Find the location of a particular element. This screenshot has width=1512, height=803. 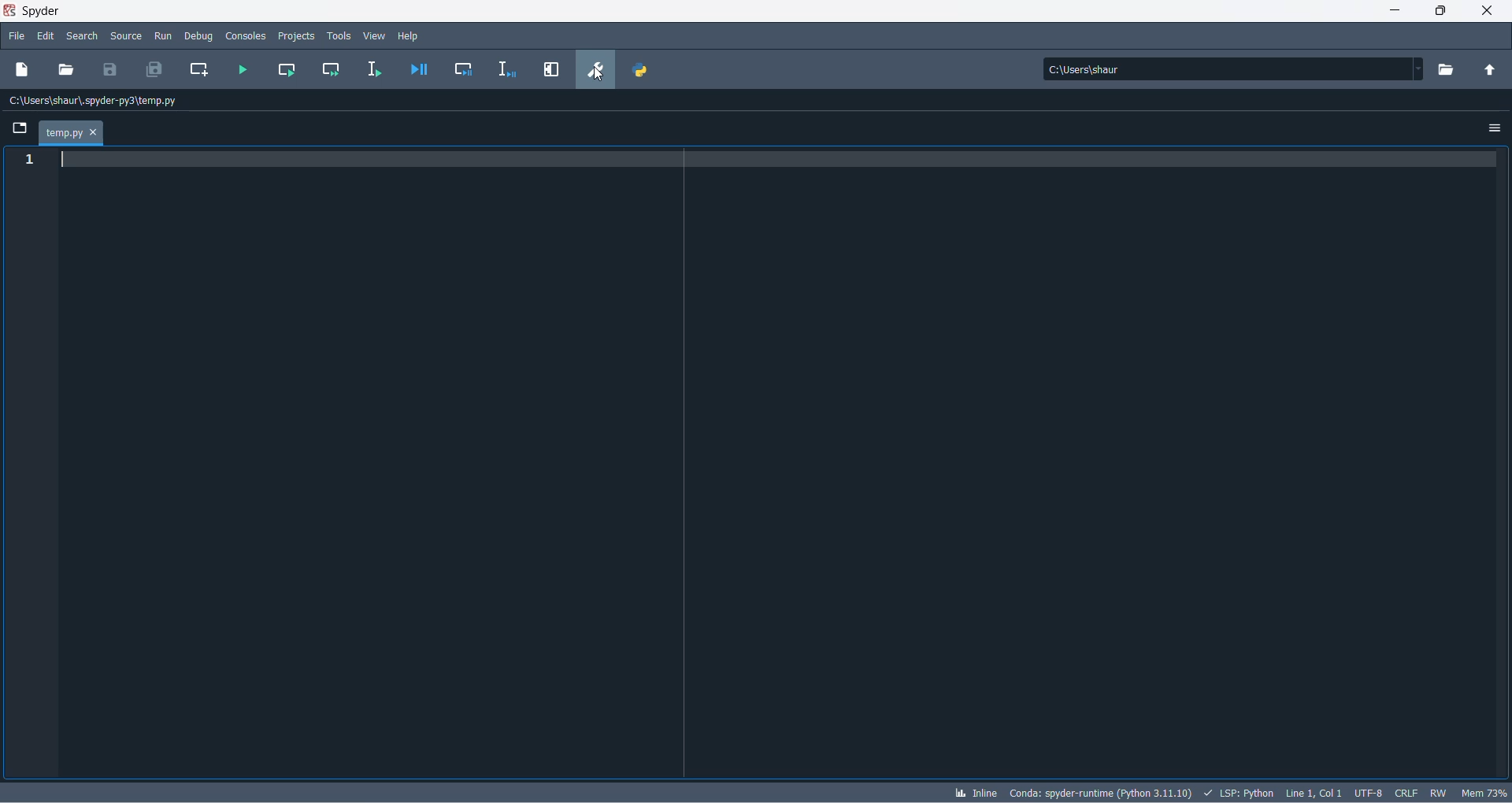

save all is located at coordinates (157, 72).